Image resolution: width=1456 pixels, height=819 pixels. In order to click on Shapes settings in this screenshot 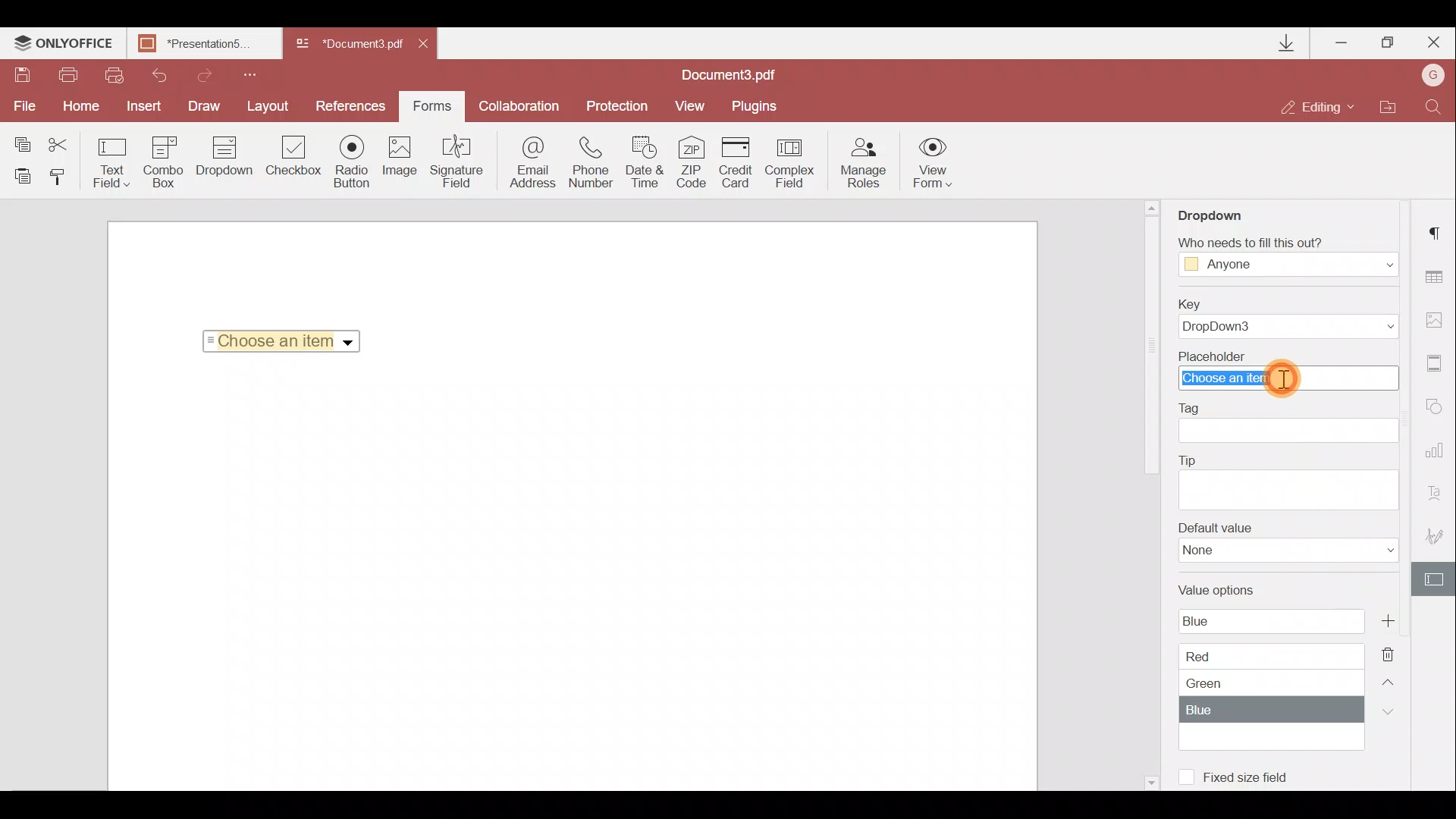, I will do `click(1439, 408)`.